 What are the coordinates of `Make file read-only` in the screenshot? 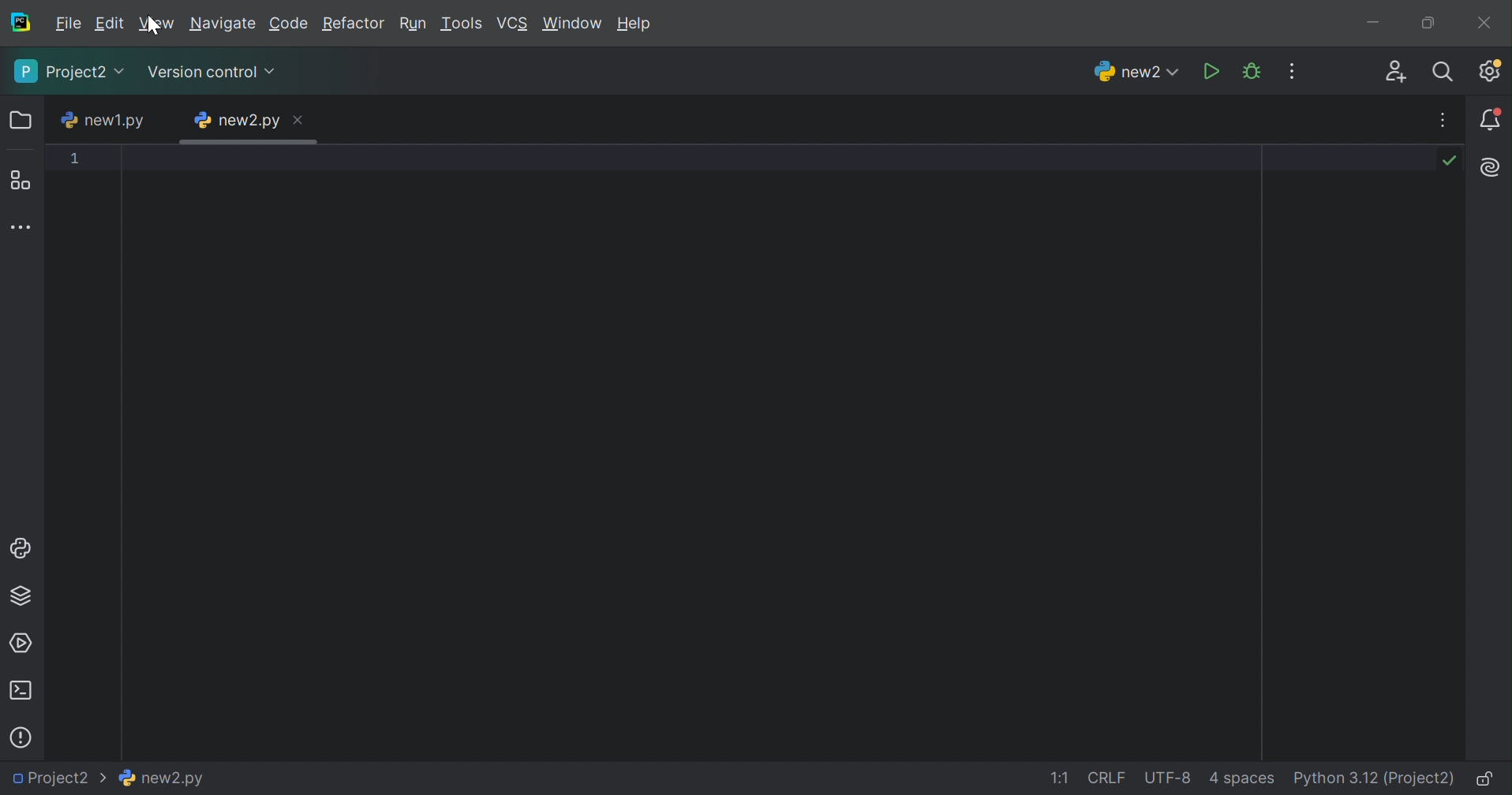 It's located at (1484, 778).